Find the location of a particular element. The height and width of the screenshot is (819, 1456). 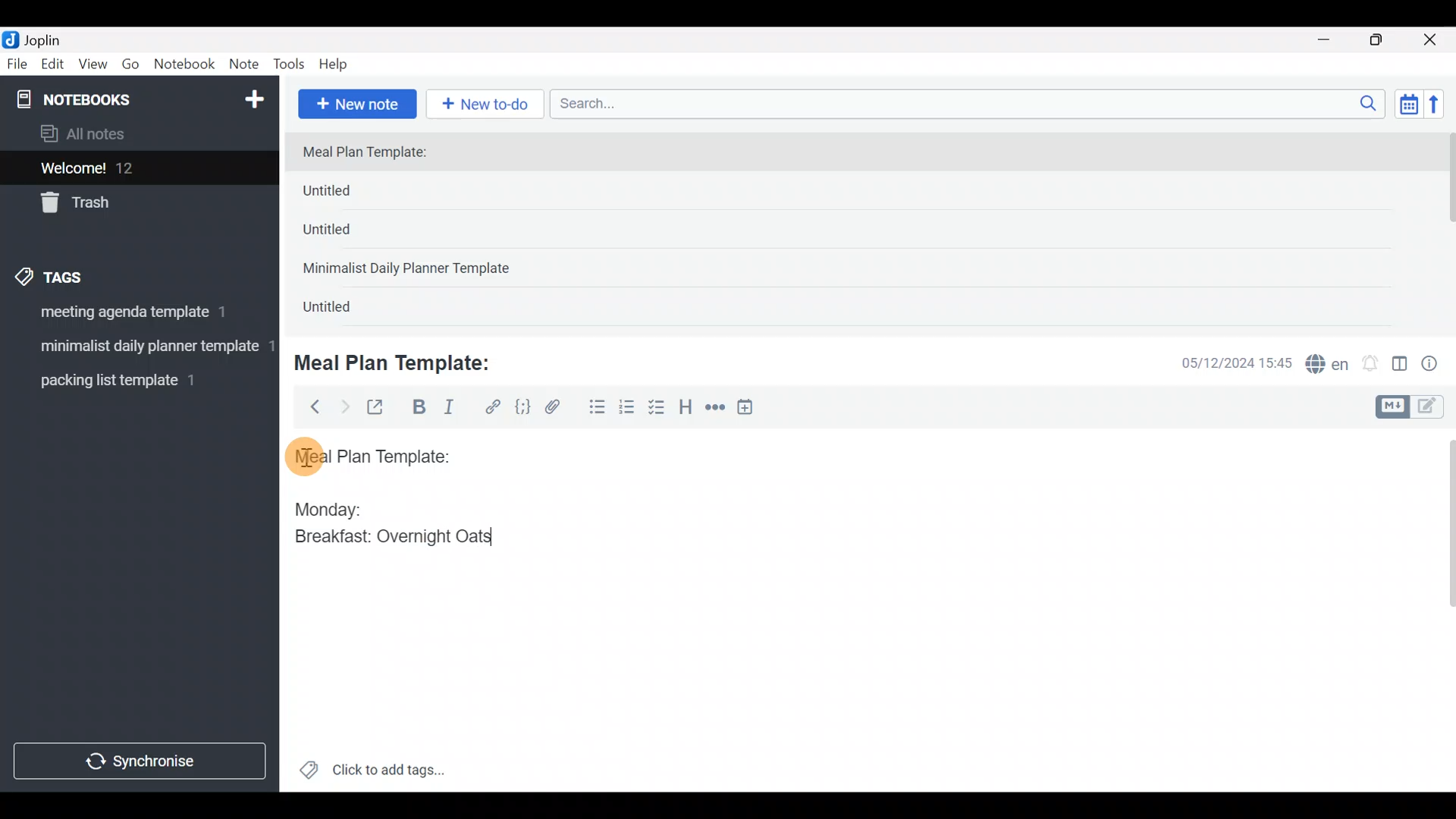

Meal plan template is located at coordinates (367, 454).